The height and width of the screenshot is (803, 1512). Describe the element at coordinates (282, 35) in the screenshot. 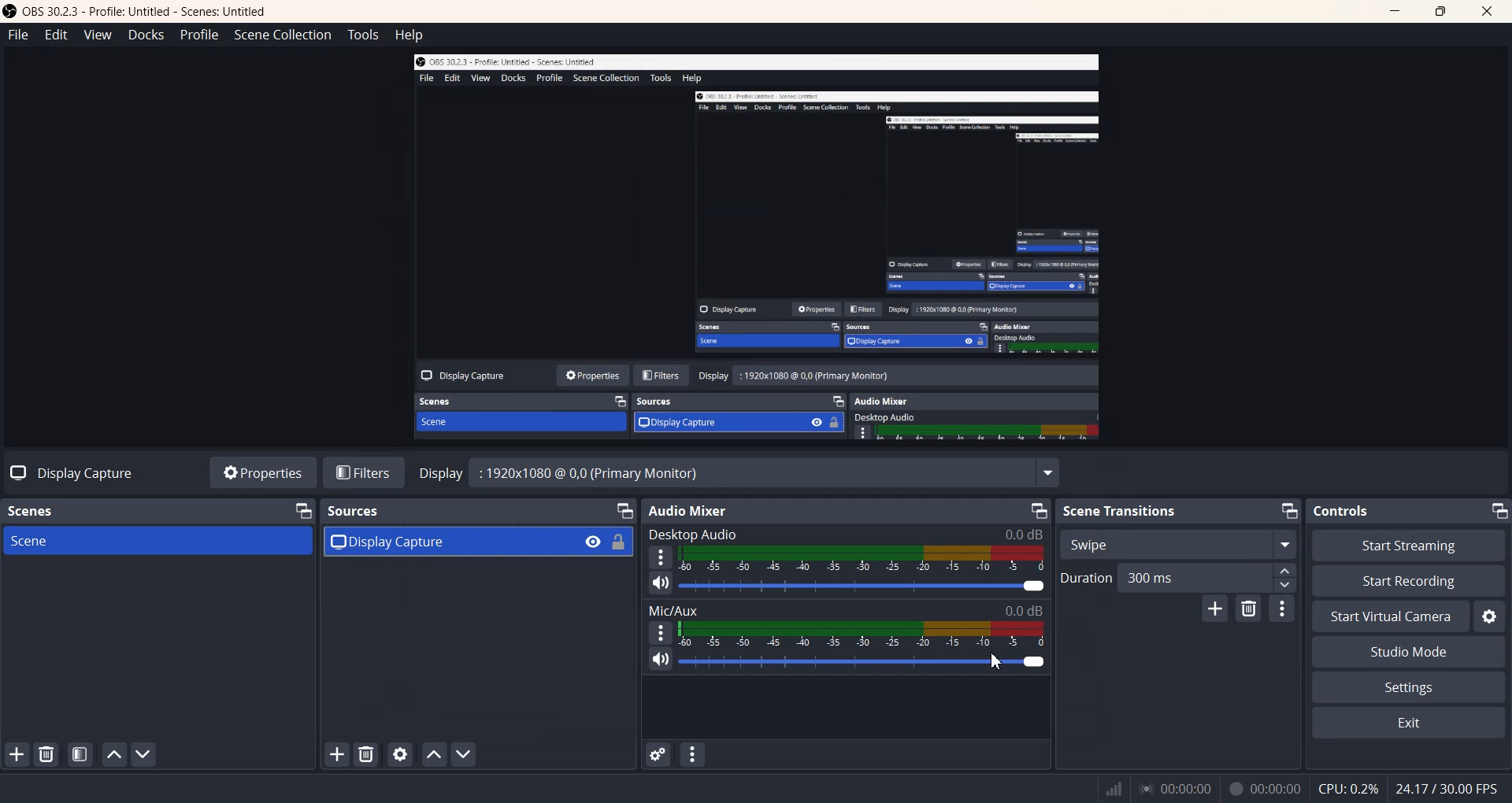

I see `Scene Collection` at that location.